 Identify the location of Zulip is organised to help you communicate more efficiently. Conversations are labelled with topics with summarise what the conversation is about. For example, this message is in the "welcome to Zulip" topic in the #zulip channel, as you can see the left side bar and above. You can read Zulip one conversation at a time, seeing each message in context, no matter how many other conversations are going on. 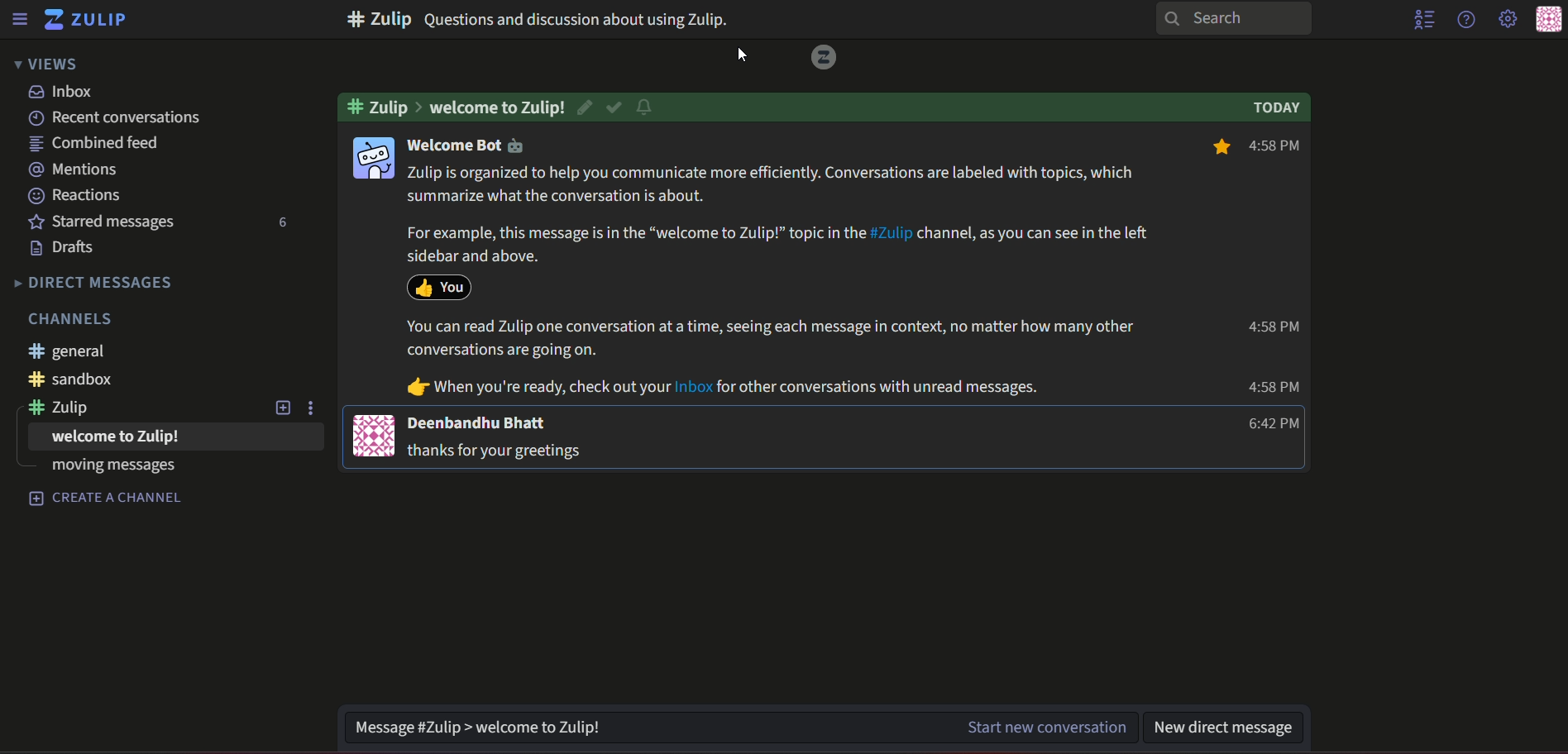
(782, 216).